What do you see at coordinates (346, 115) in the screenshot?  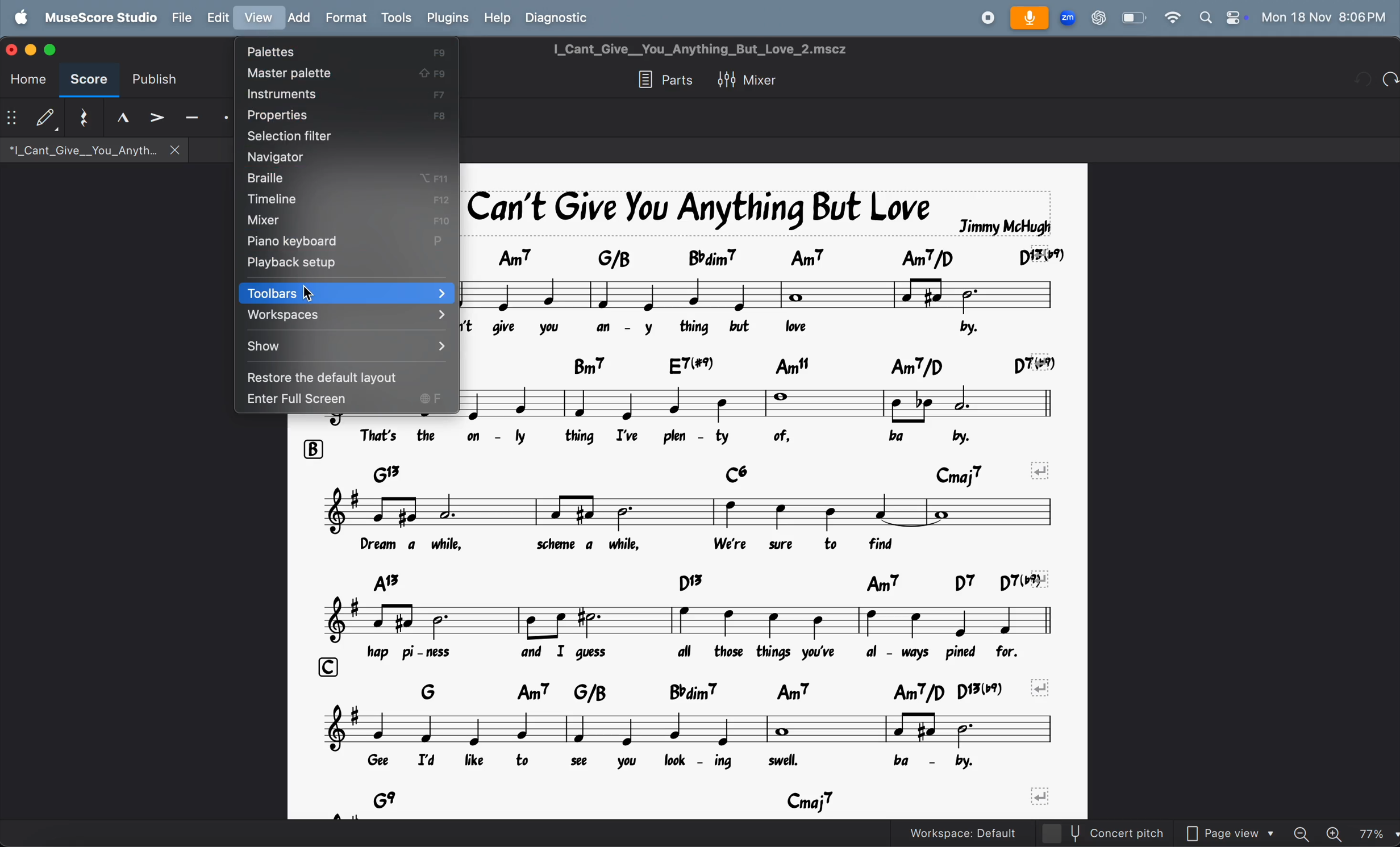 I see `properties` at bounding box center [346, 115].